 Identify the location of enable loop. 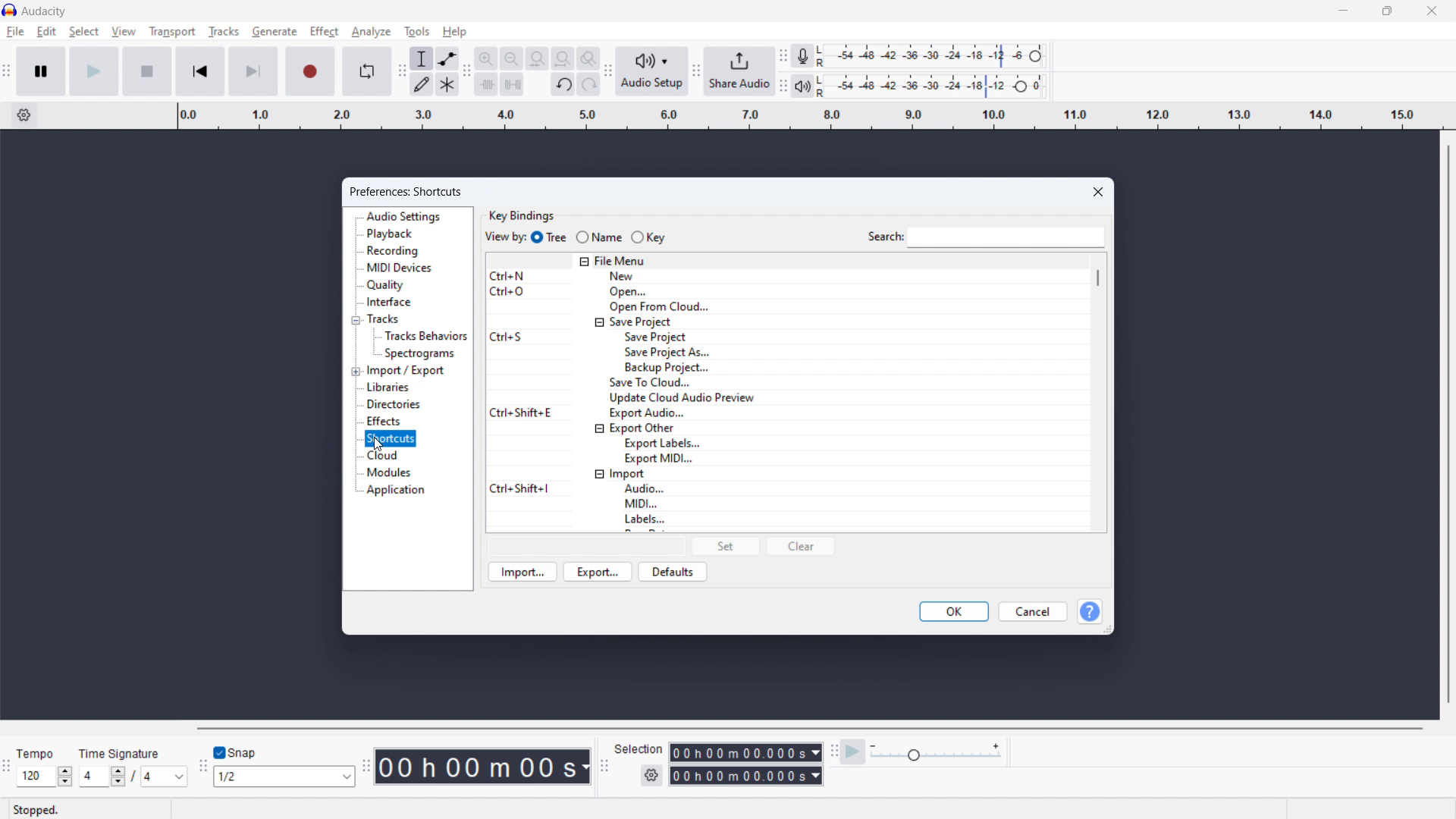
(368, 71).